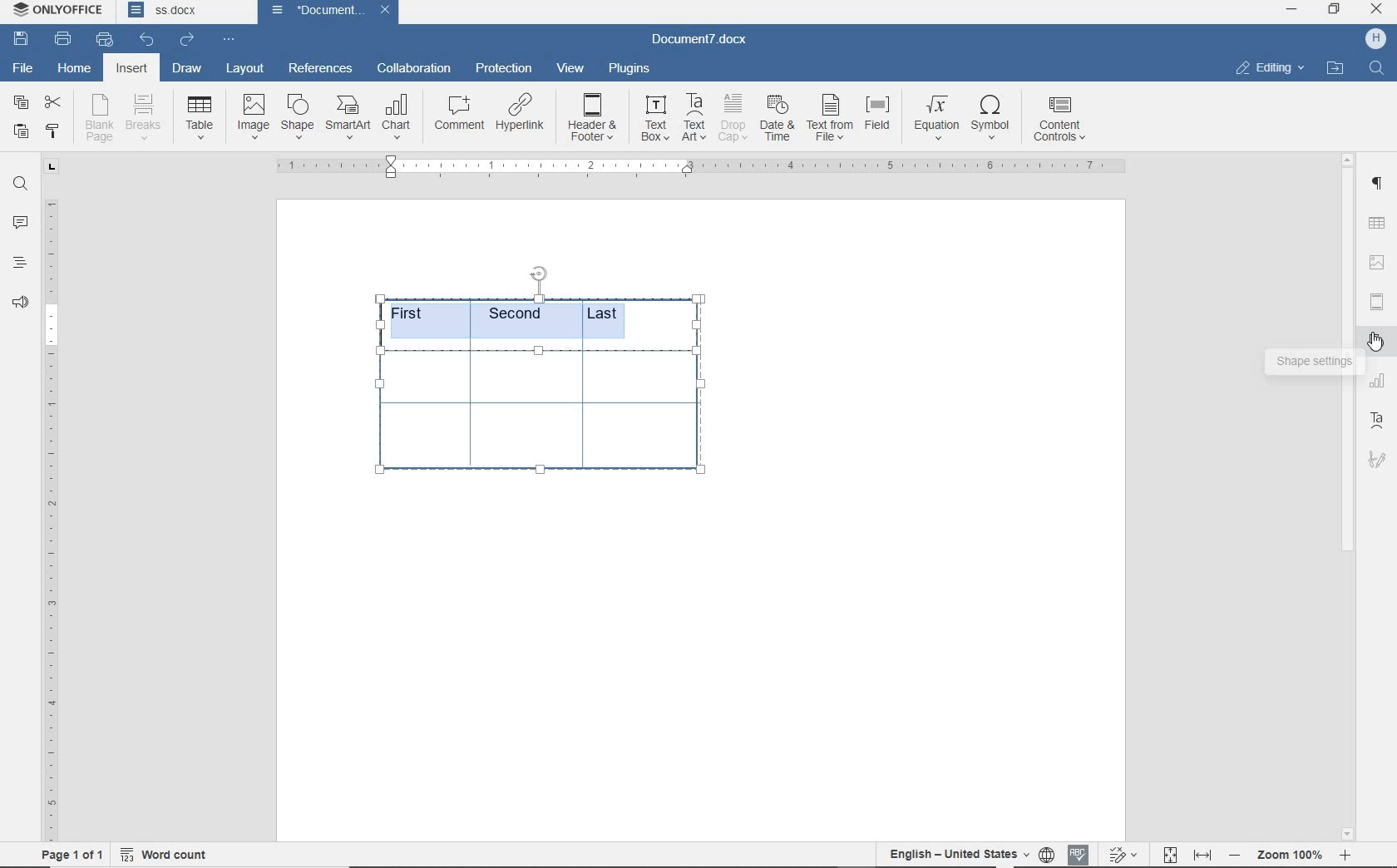 Image resolution: width=1397 pixels, height=868 pixels. I want to click on HP, so click(1374, 38).